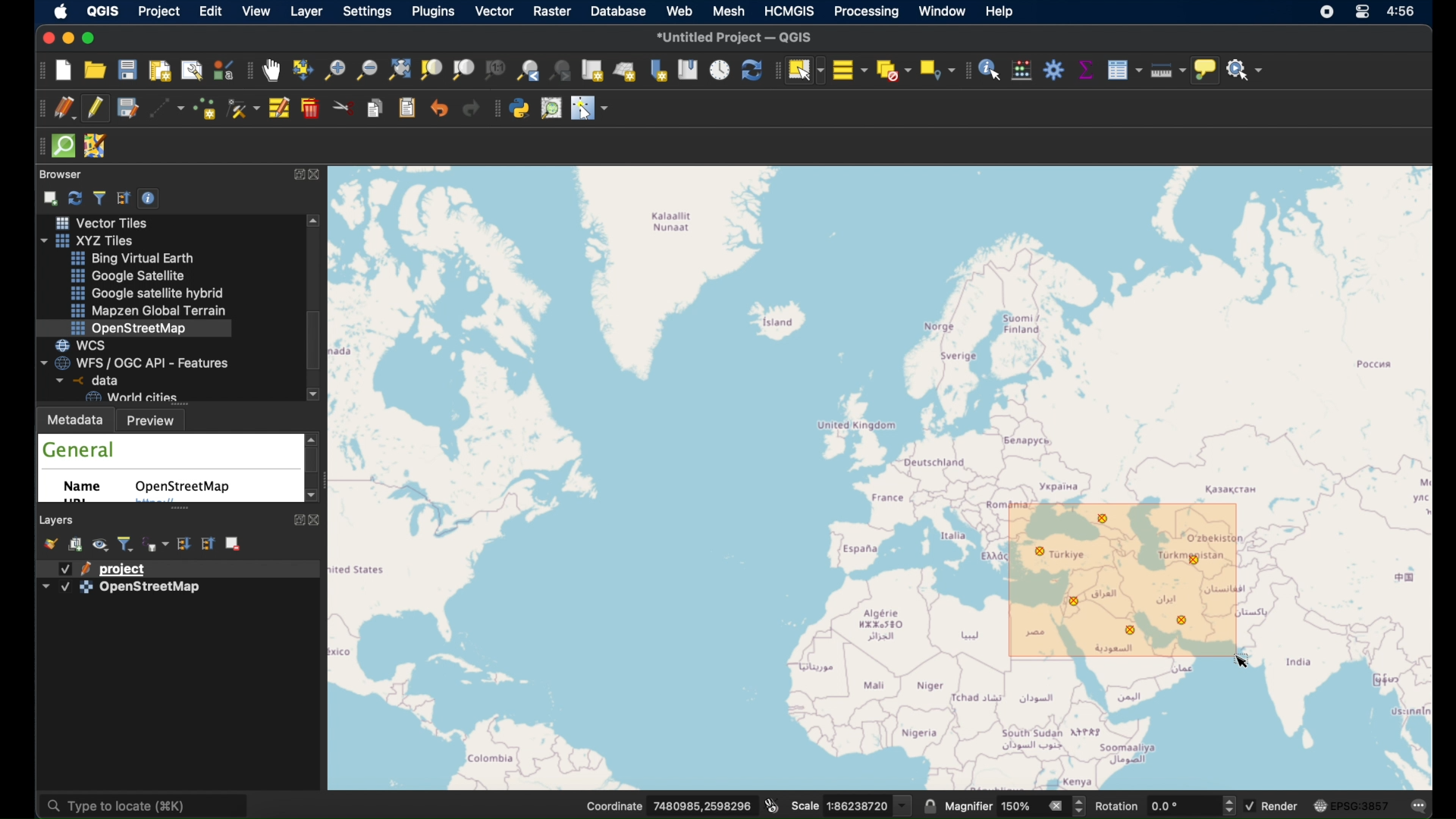  Describe the element at coordinates (1205, 71) in the screenshot. I see `show map tips` at that location.